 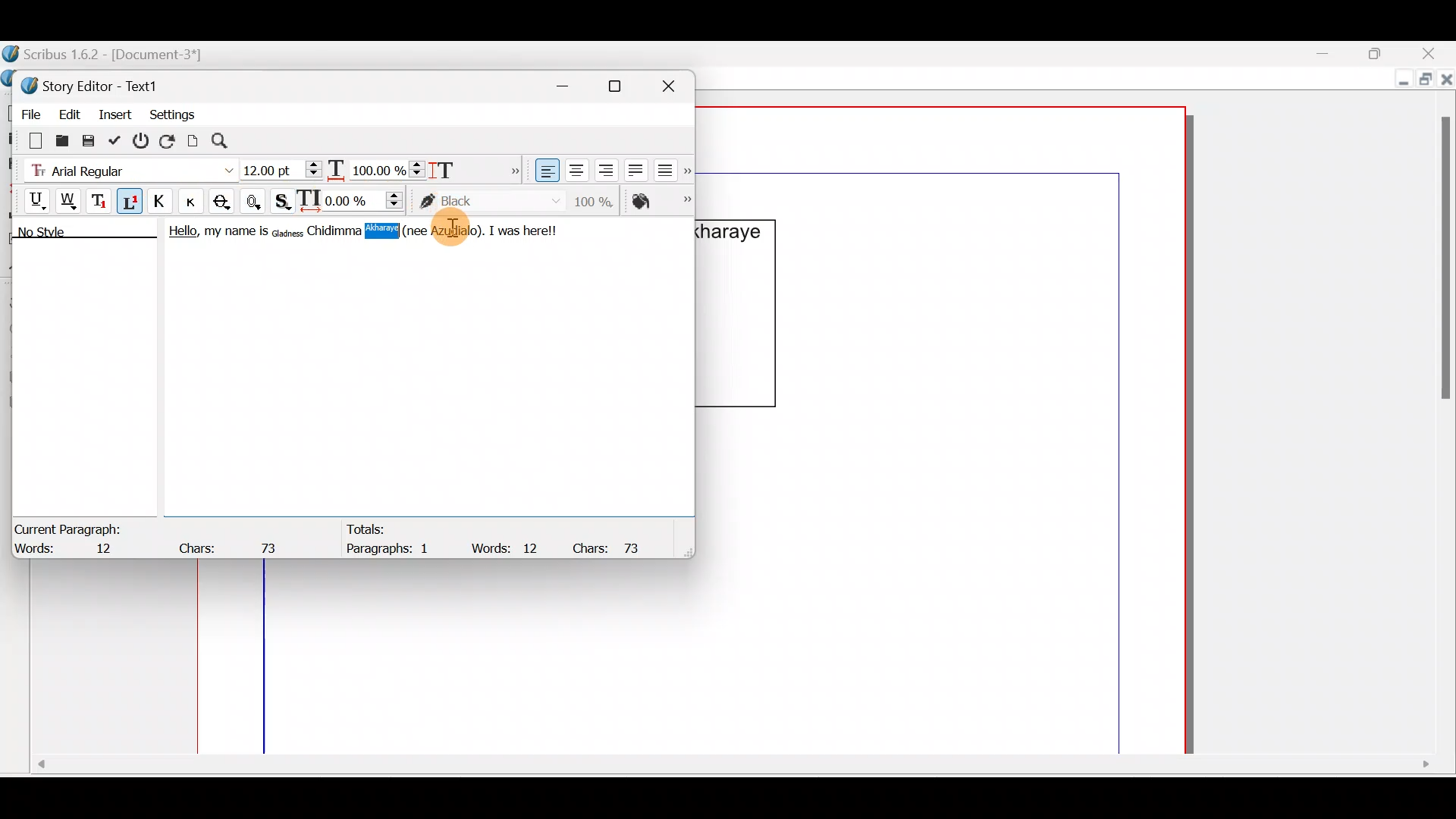 I want to click on Cursor, so click(x=459, y=234).